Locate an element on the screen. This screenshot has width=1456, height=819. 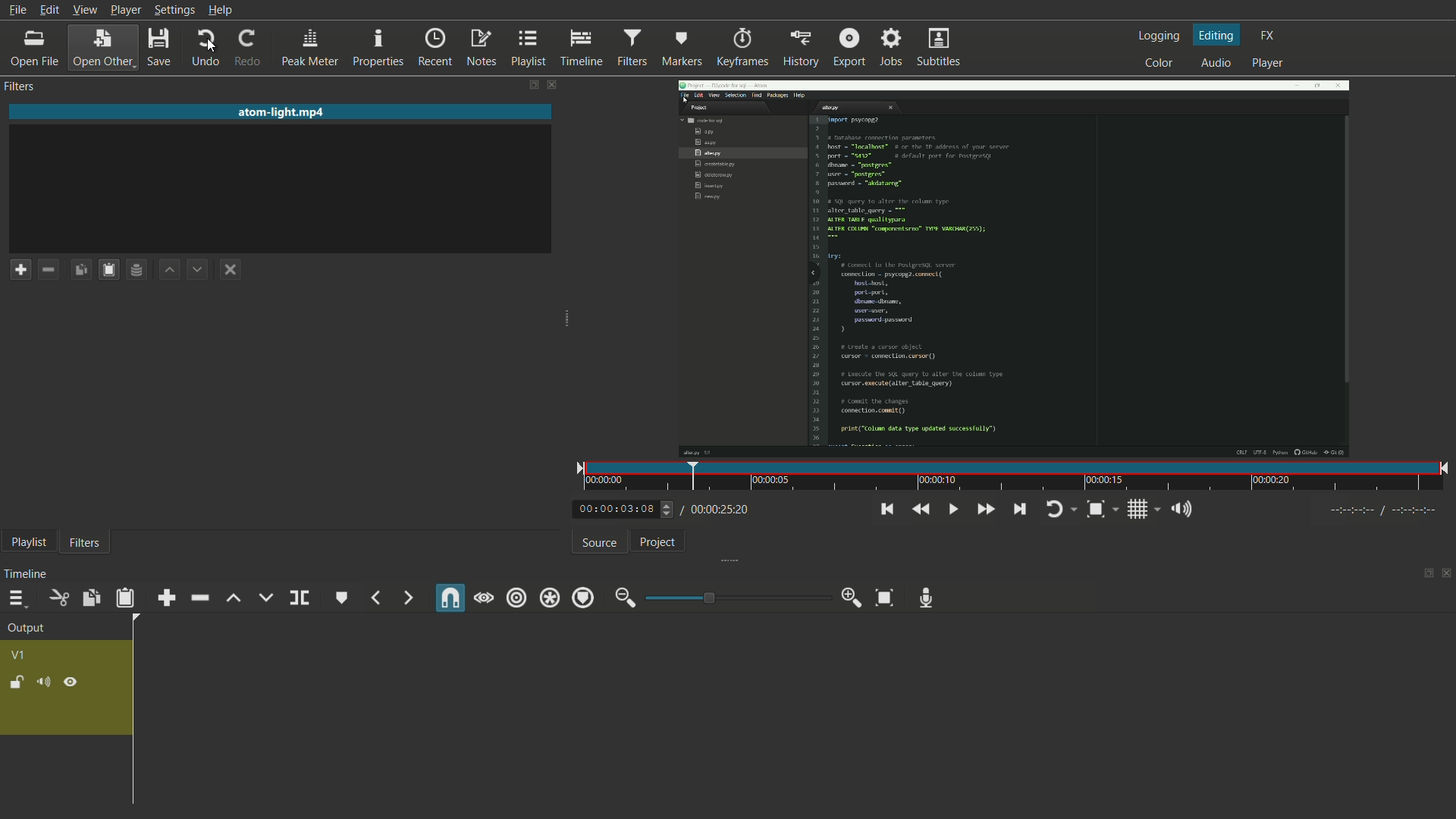
filters is located at coordinates (632, 48).